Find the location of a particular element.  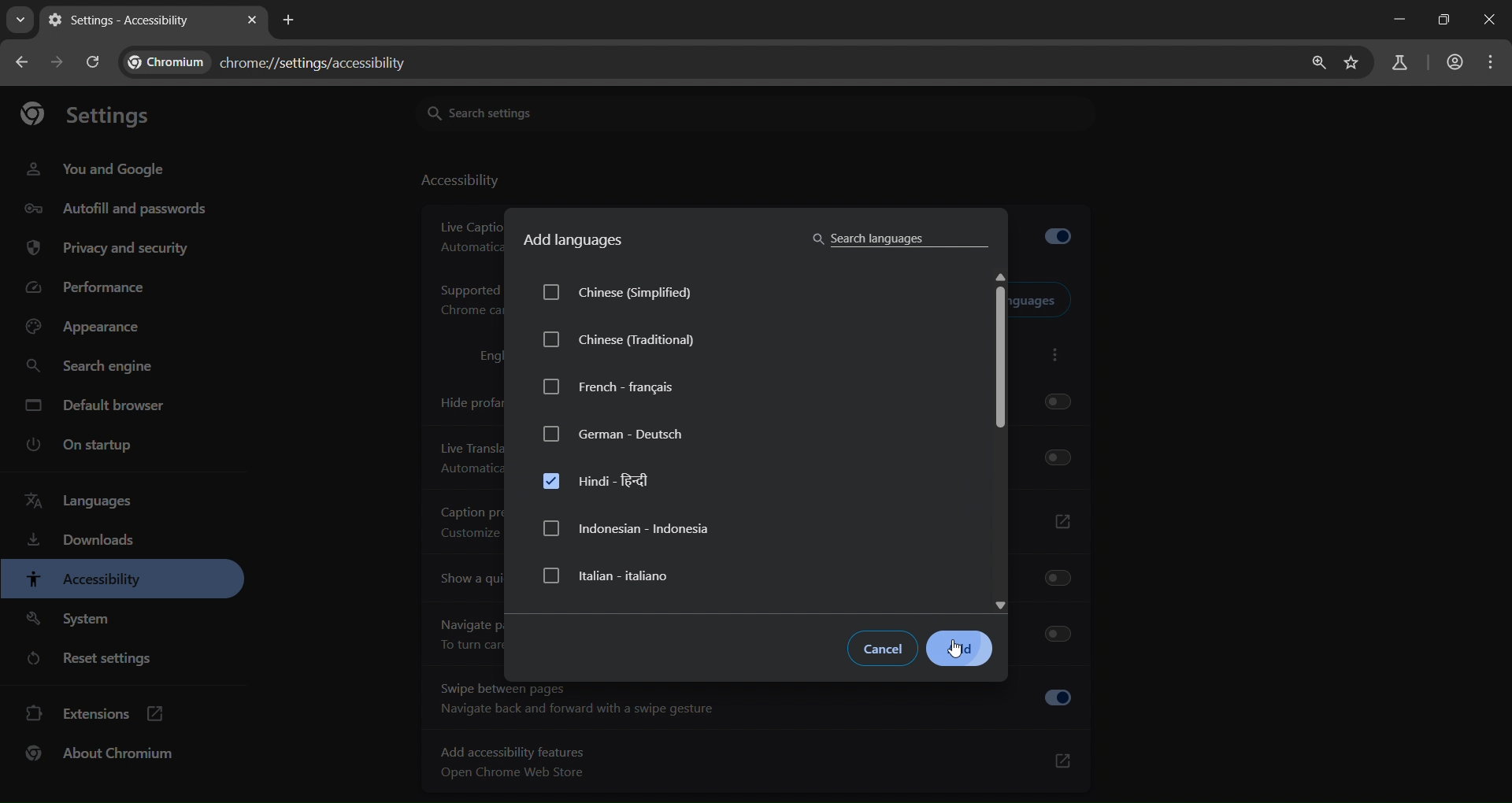

go back one page is located at coordinates (24, 61).